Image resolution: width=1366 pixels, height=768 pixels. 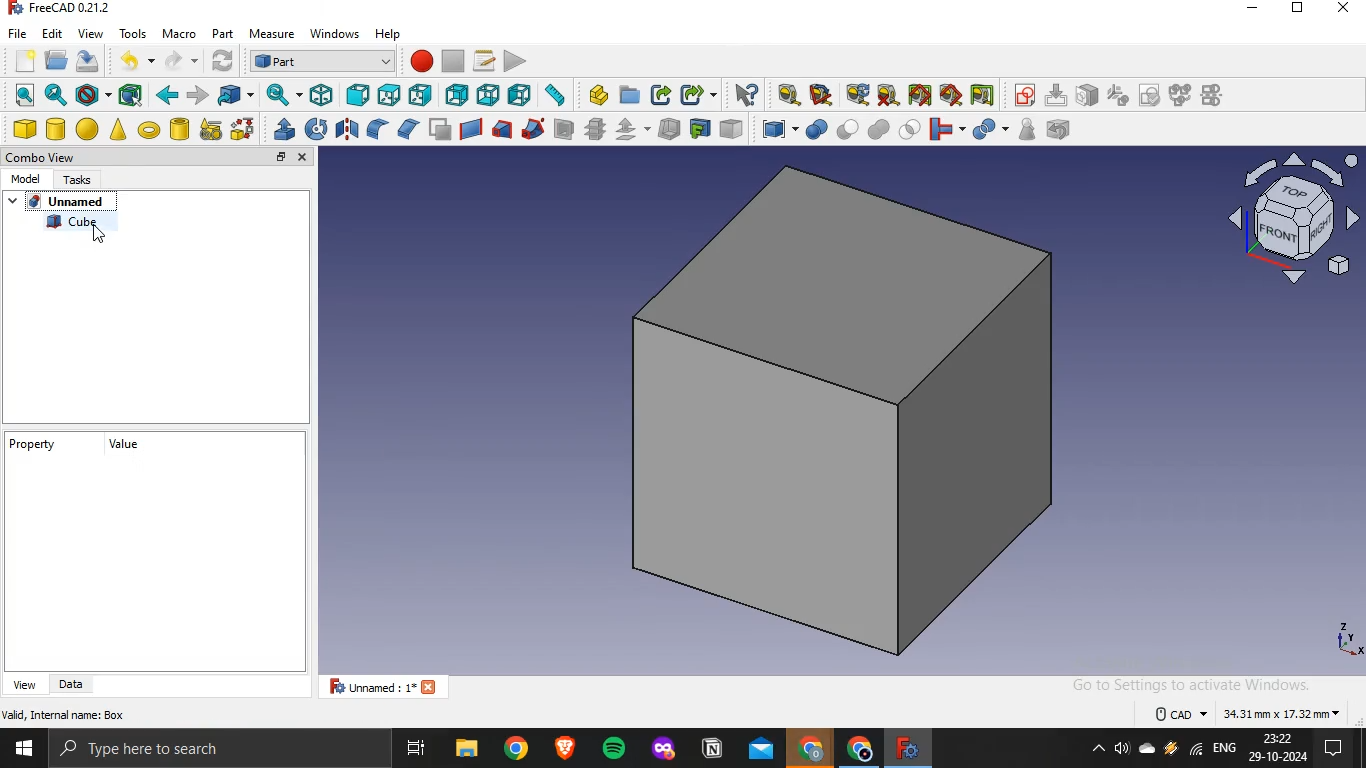 What do you see at coordinates (236, 94) in the screenshot?
I see `go to linked object` at bounding box center [236, 94].